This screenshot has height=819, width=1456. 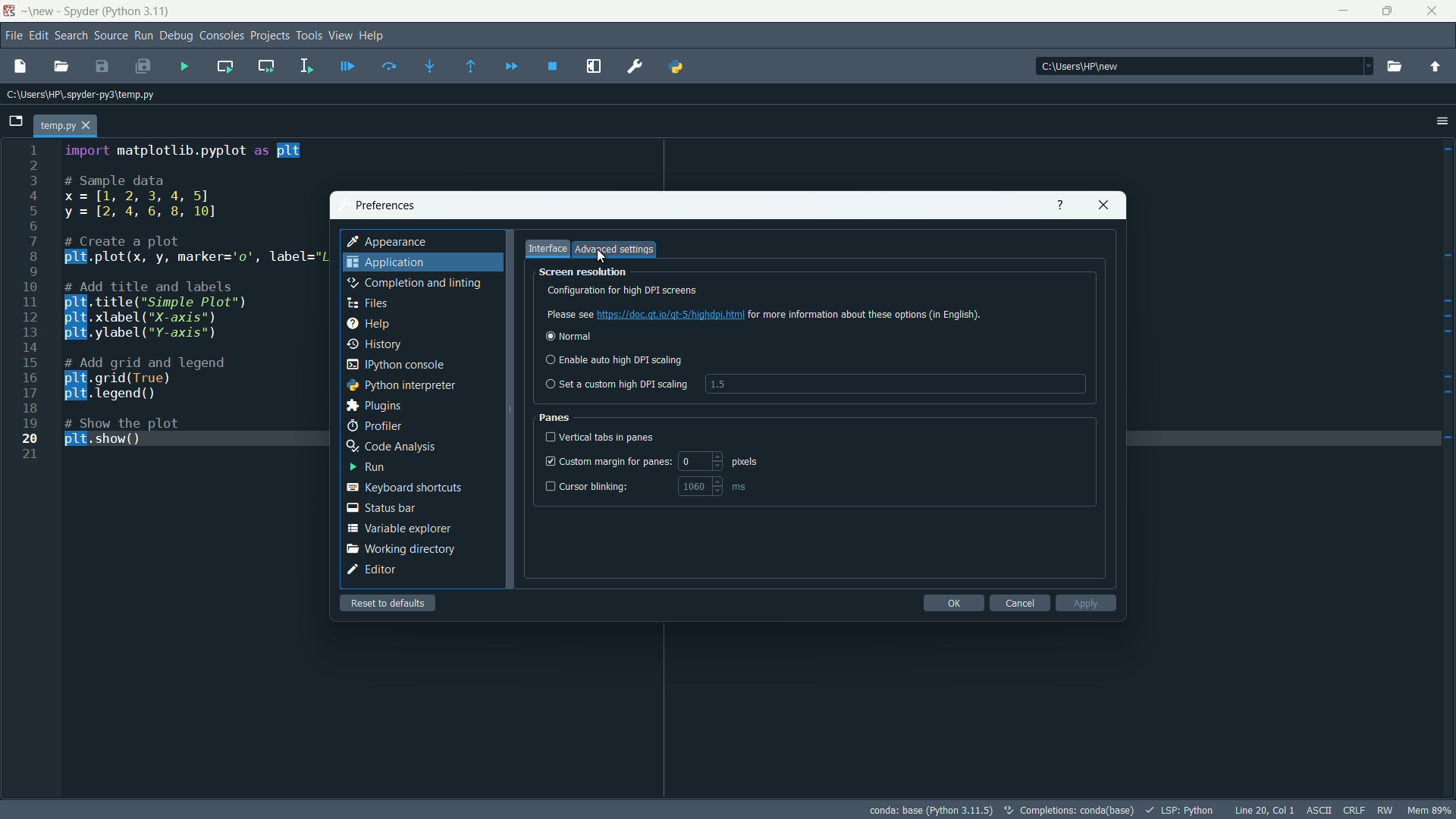 What do you see at coordinates (1018, 603) in the screenshot?
I see `cancel` at bounding box center [1018, 603].